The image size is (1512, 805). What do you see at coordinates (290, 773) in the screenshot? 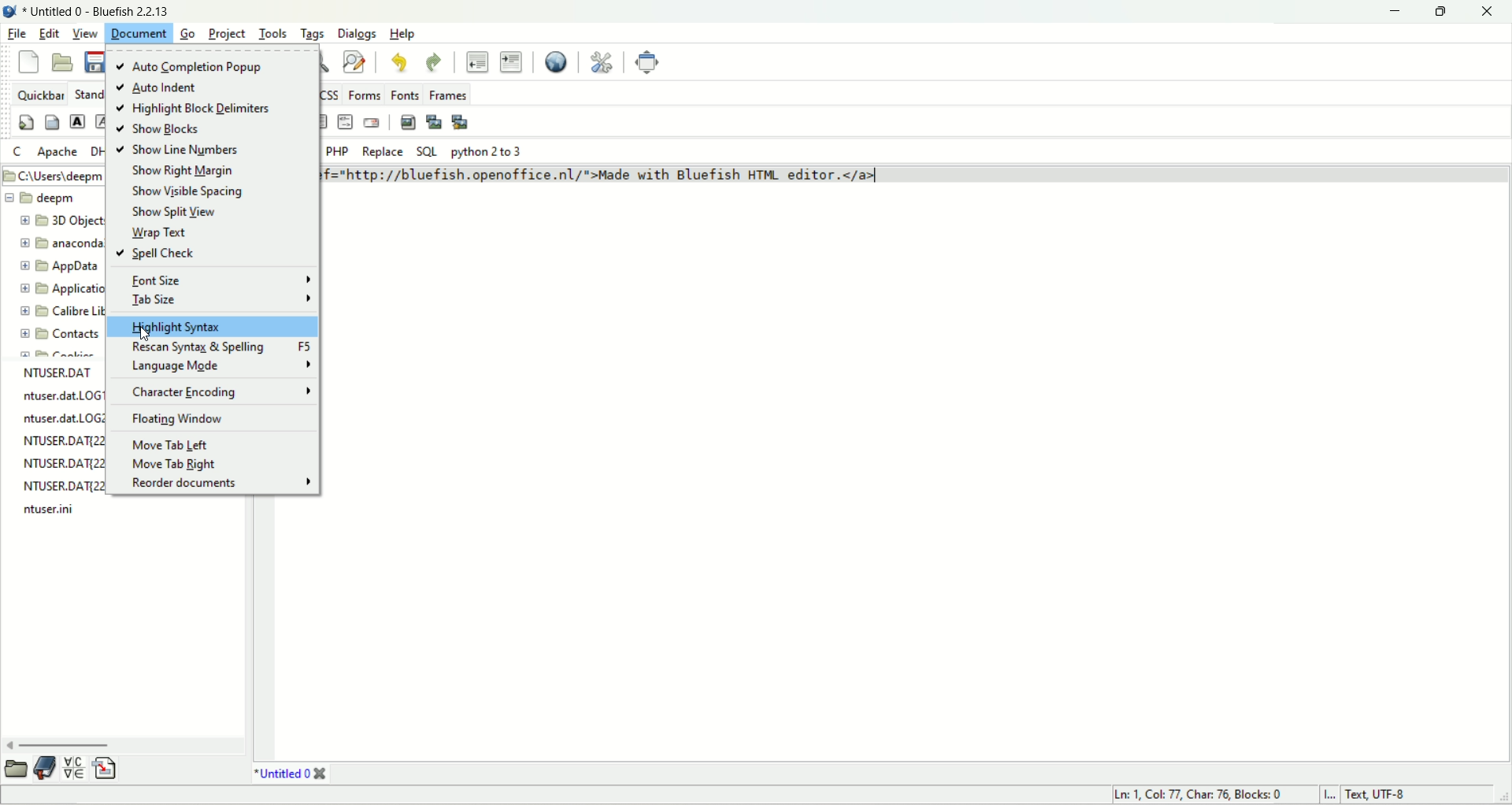
I see `untitled` at bounding box center [290, 773].